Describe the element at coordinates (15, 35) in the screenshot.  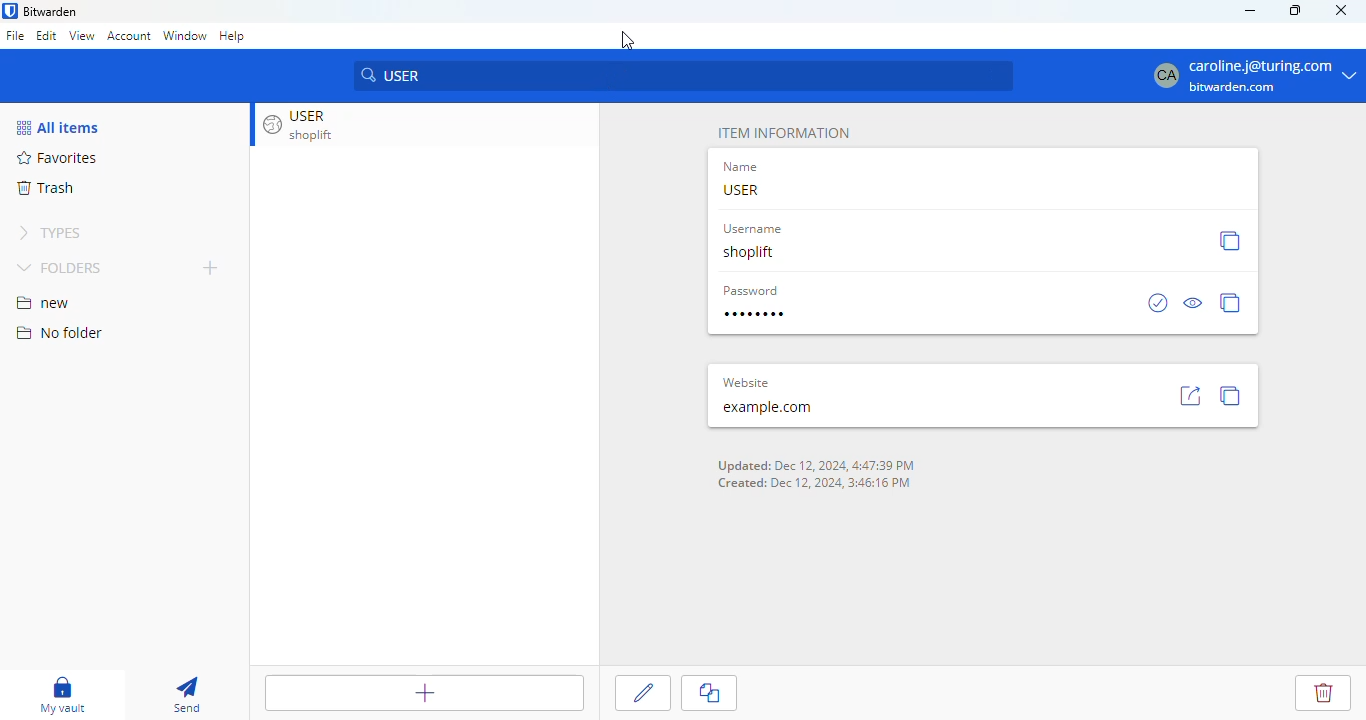
I see `file` at that location.